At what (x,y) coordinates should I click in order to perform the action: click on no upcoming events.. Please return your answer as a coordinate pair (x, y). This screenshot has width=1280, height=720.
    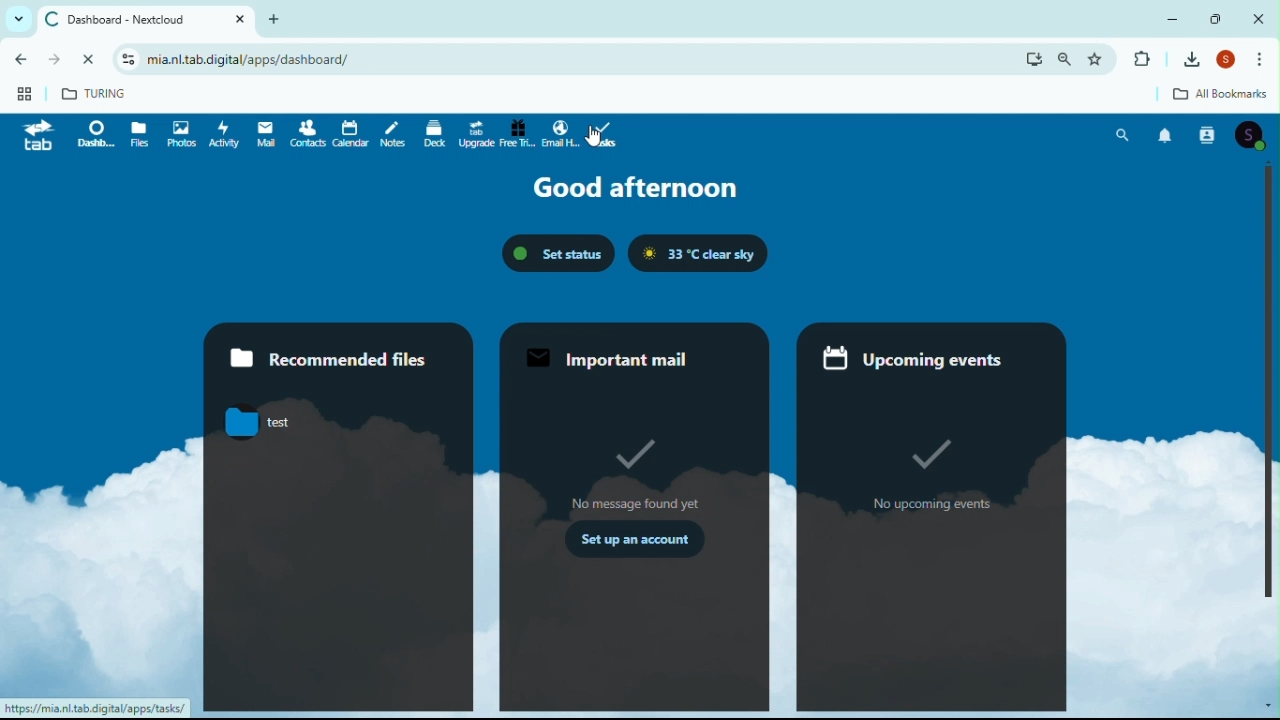
    Looking at the image, I should click on (939, 505).